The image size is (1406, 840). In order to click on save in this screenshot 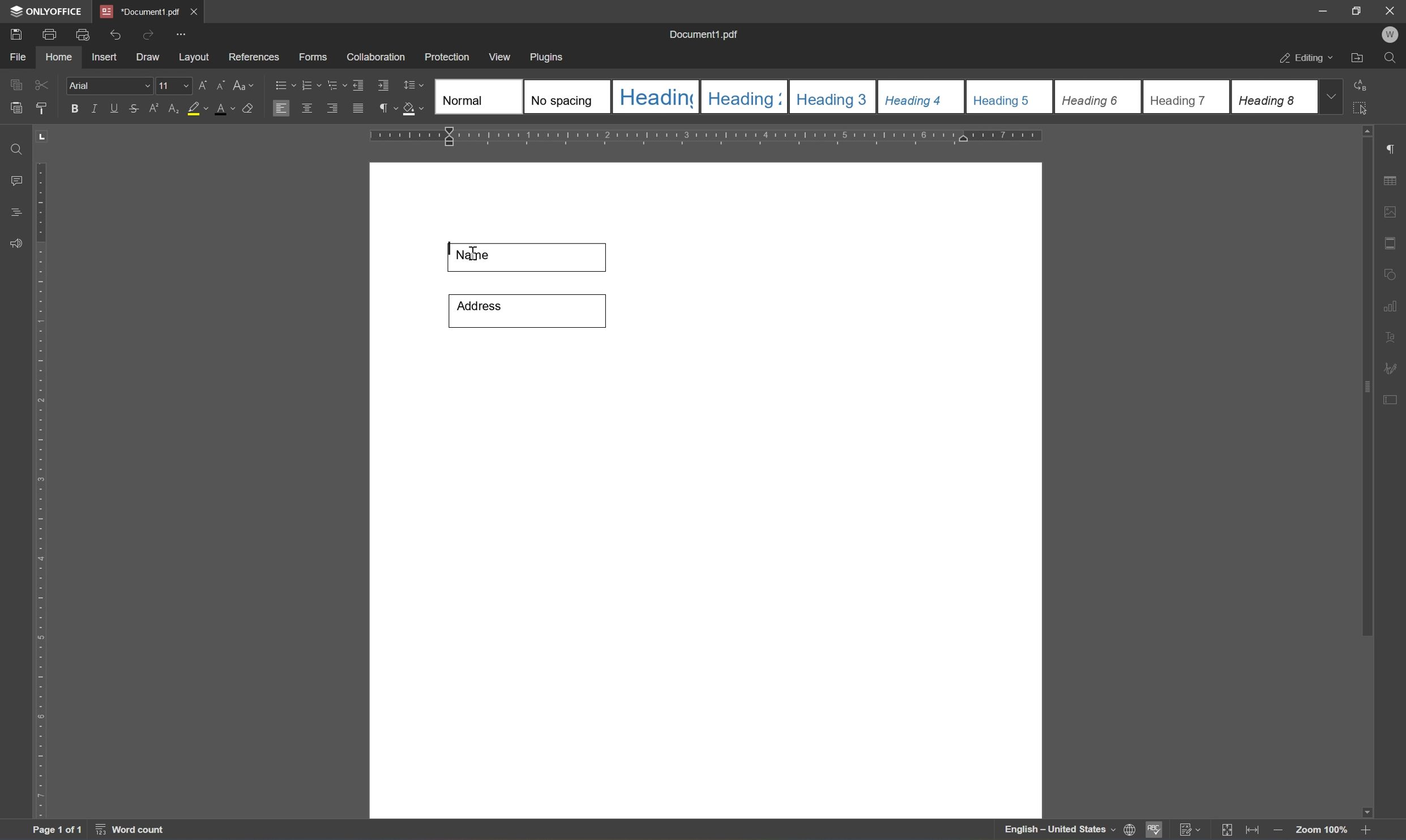, I will do `click(16, 33)`.